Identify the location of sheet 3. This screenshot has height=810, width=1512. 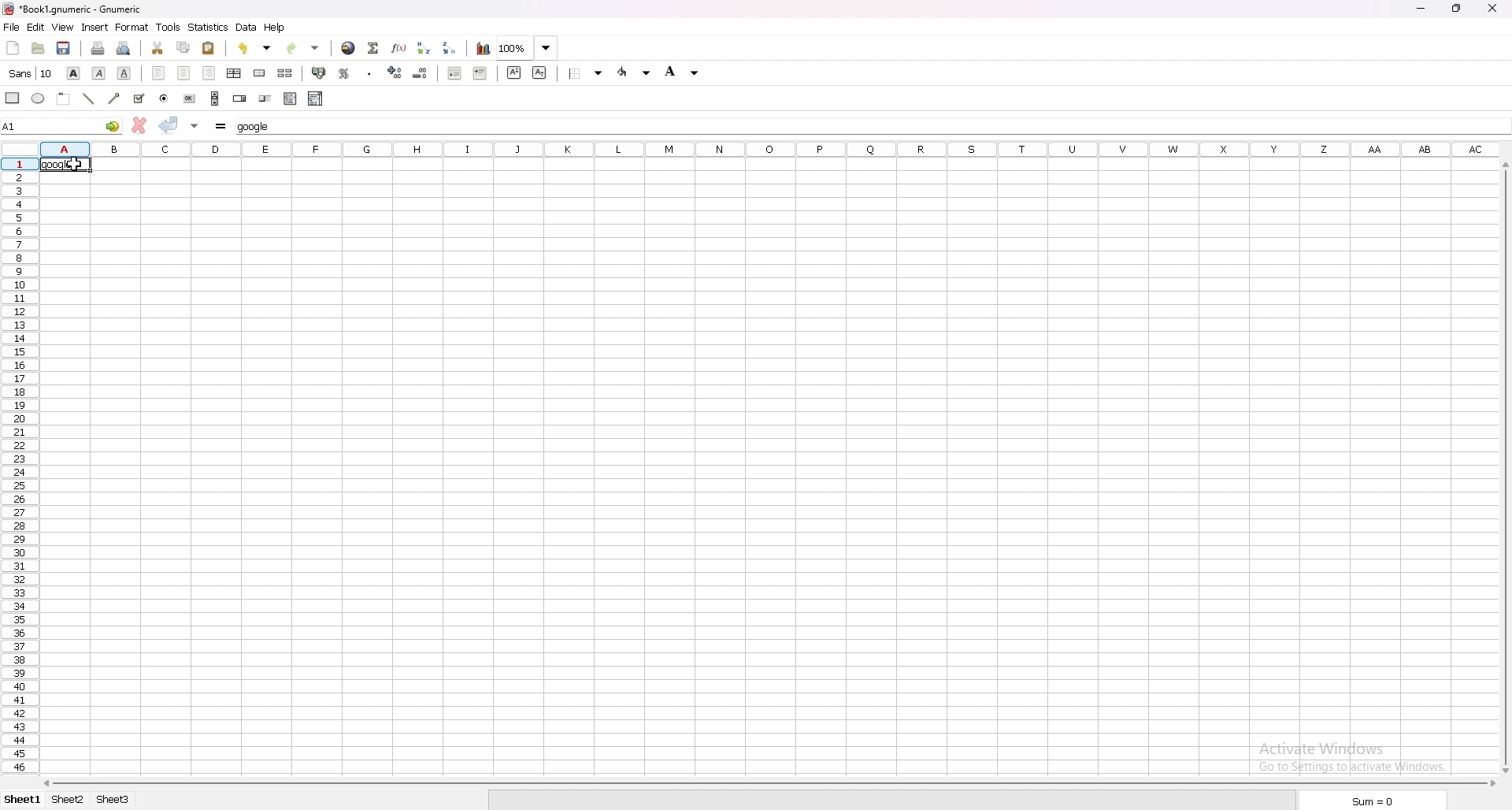
(123, 801).